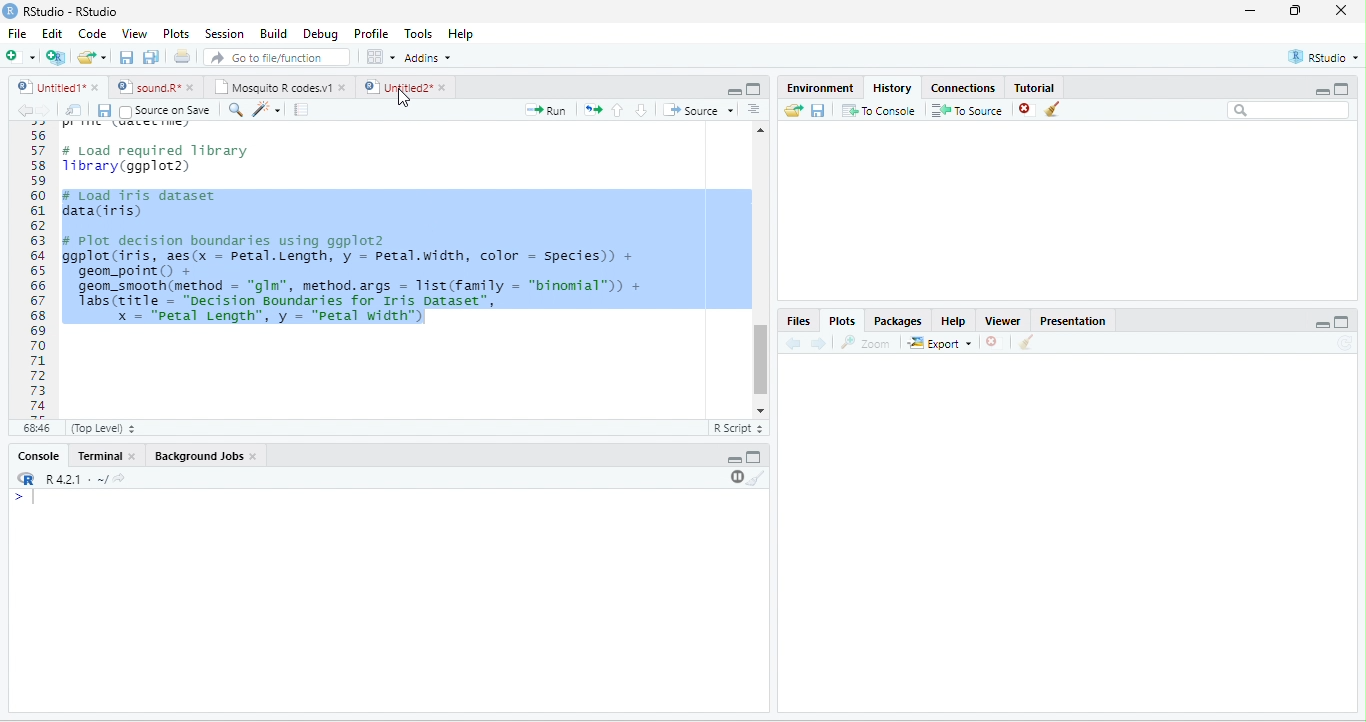 The width and height of the screenshot is (1366, 722). I want to click on maximize, so click(1342, 88).